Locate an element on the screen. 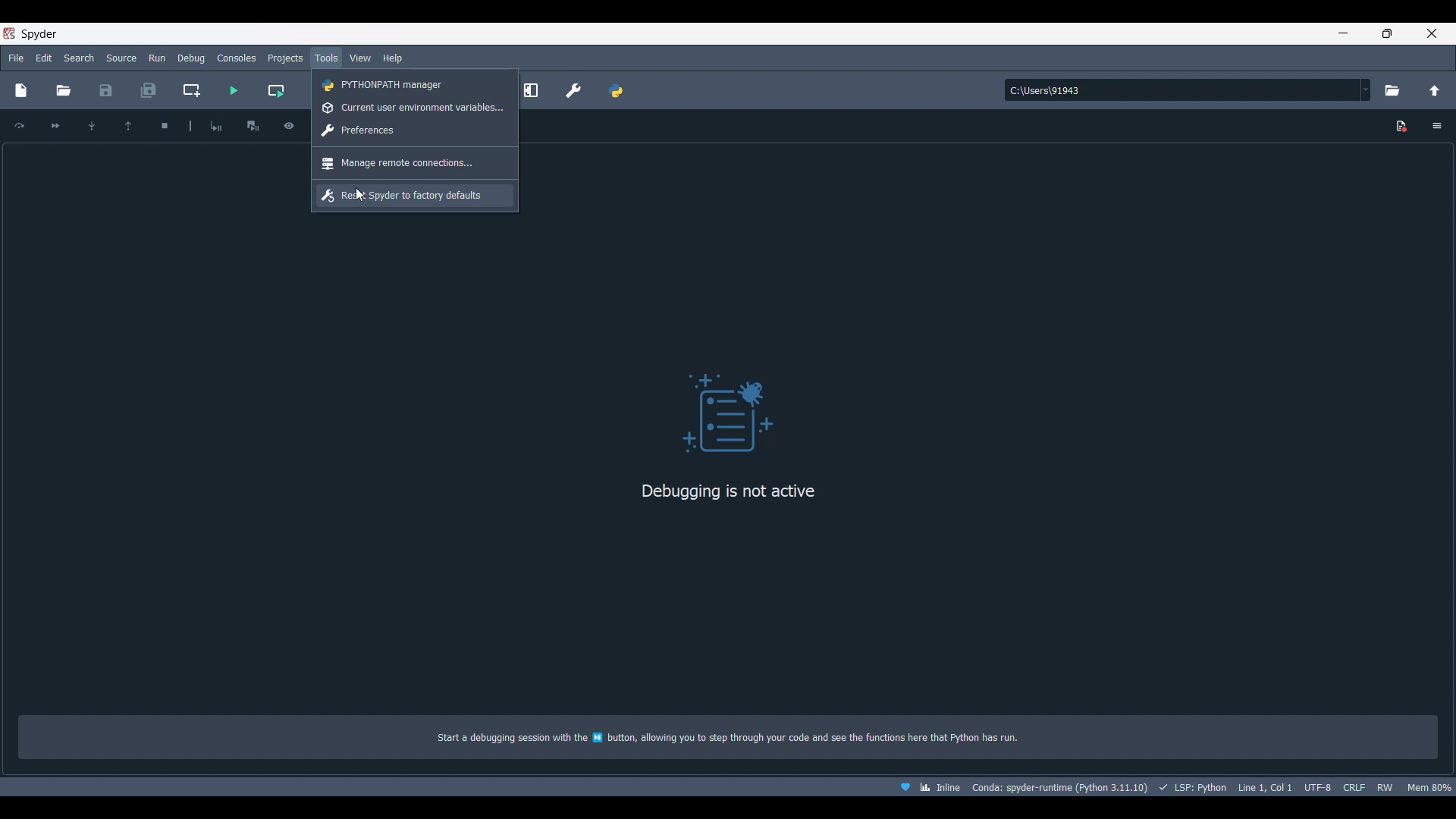 The height and width of the screenshot is (819, 1456). Debug menu is located at coordinates (191, 58).